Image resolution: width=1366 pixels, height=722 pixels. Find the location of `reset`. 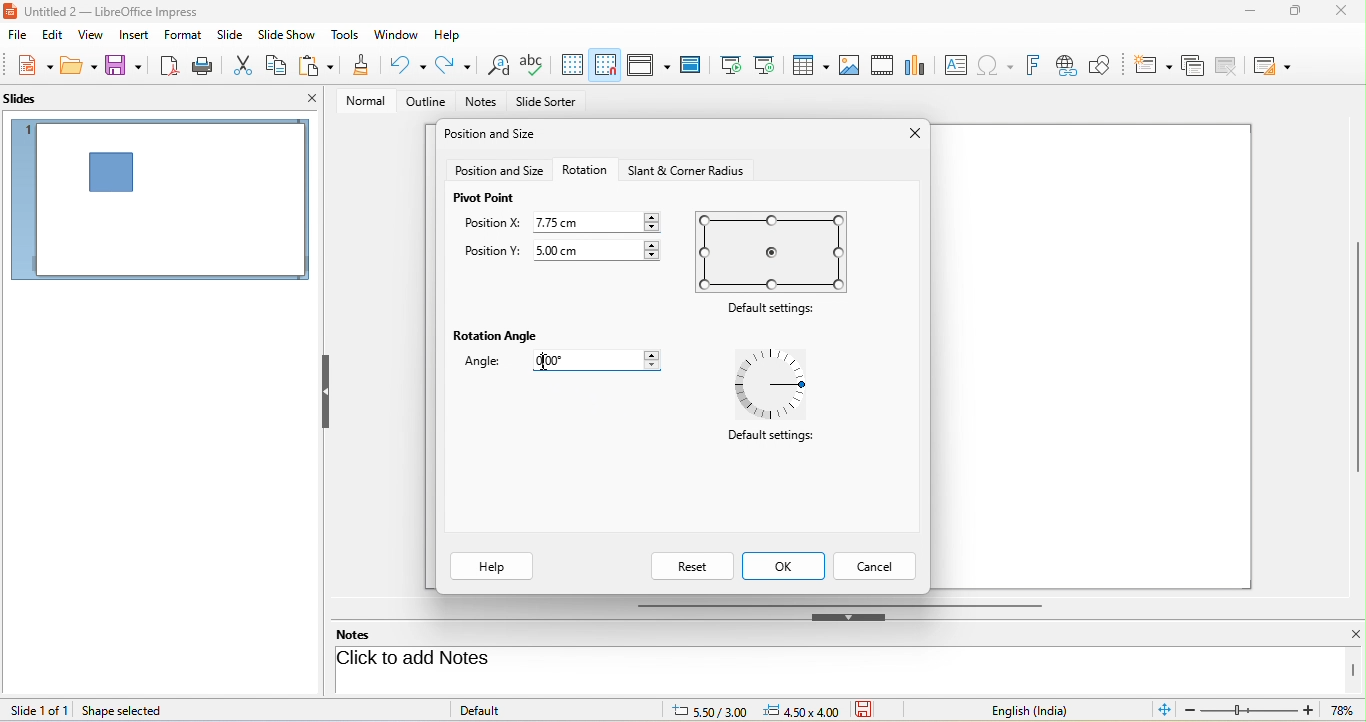

reset is located at coordinates (691, 566).